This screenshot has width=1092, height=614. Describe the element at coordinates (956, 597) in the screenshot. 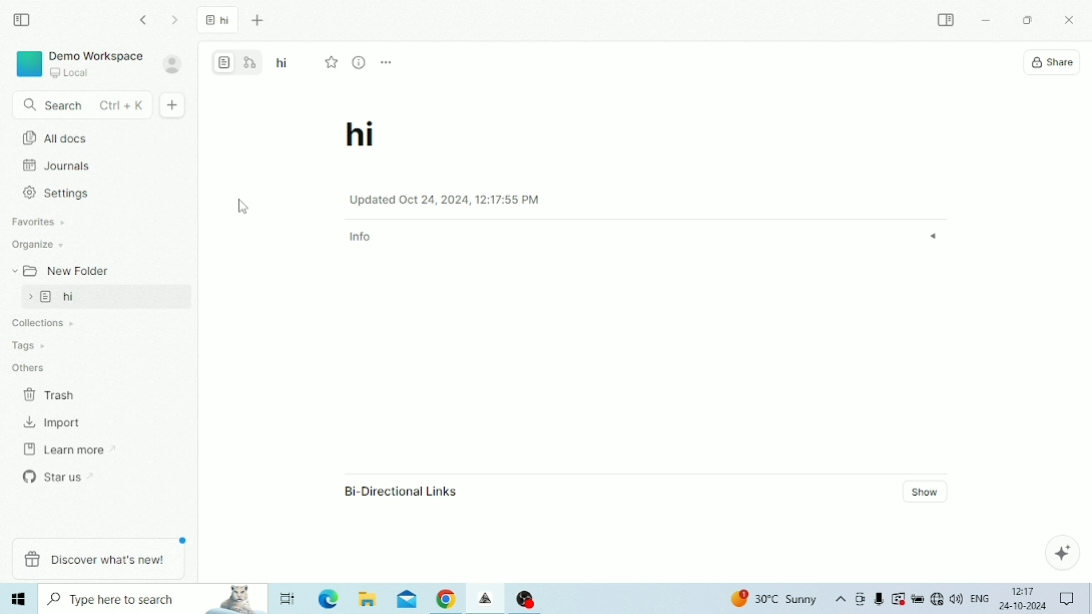

I see `Speakers` at that location.